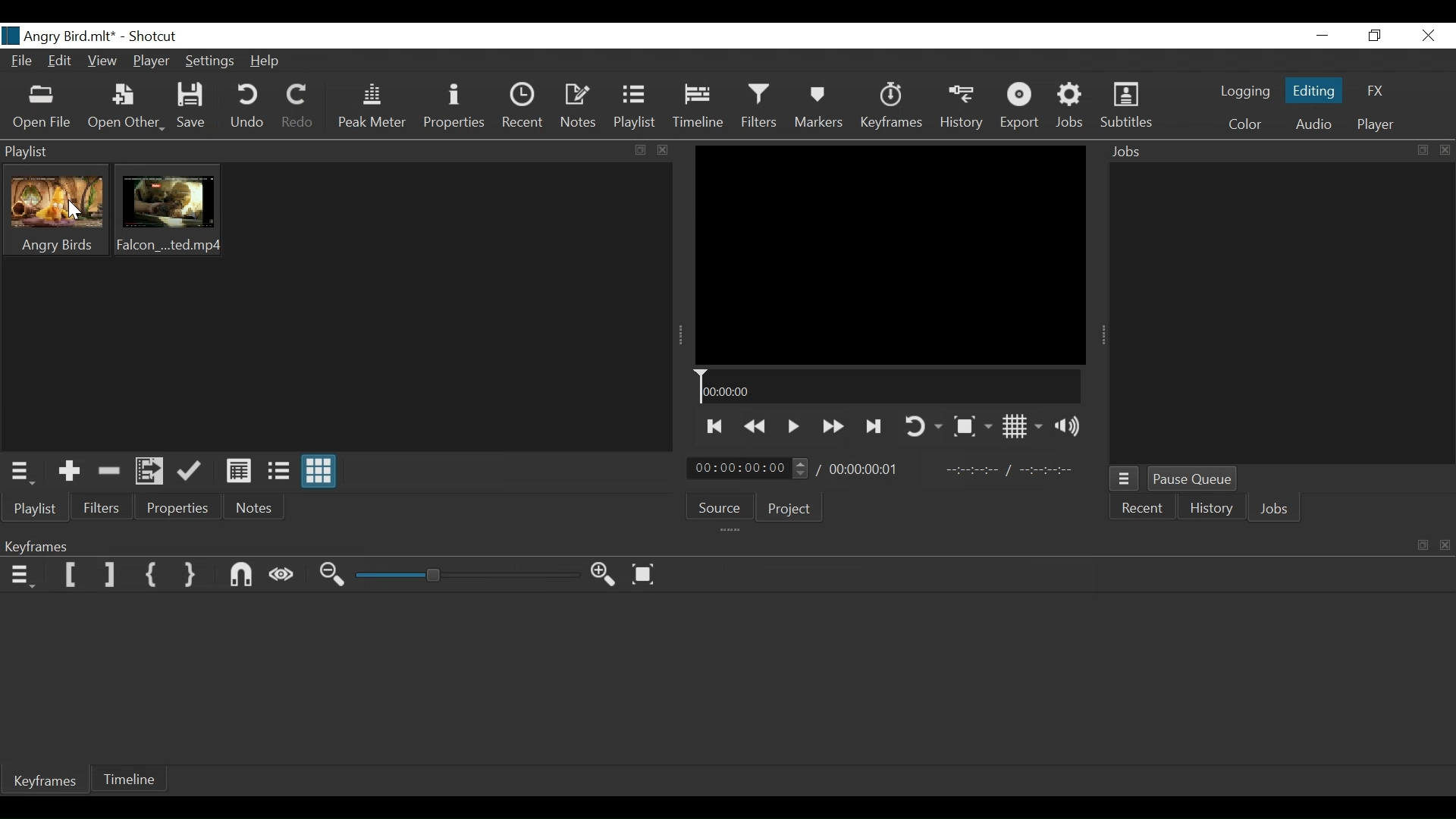  I want to click on Zoom keyframe to fit, so click(645, 574).